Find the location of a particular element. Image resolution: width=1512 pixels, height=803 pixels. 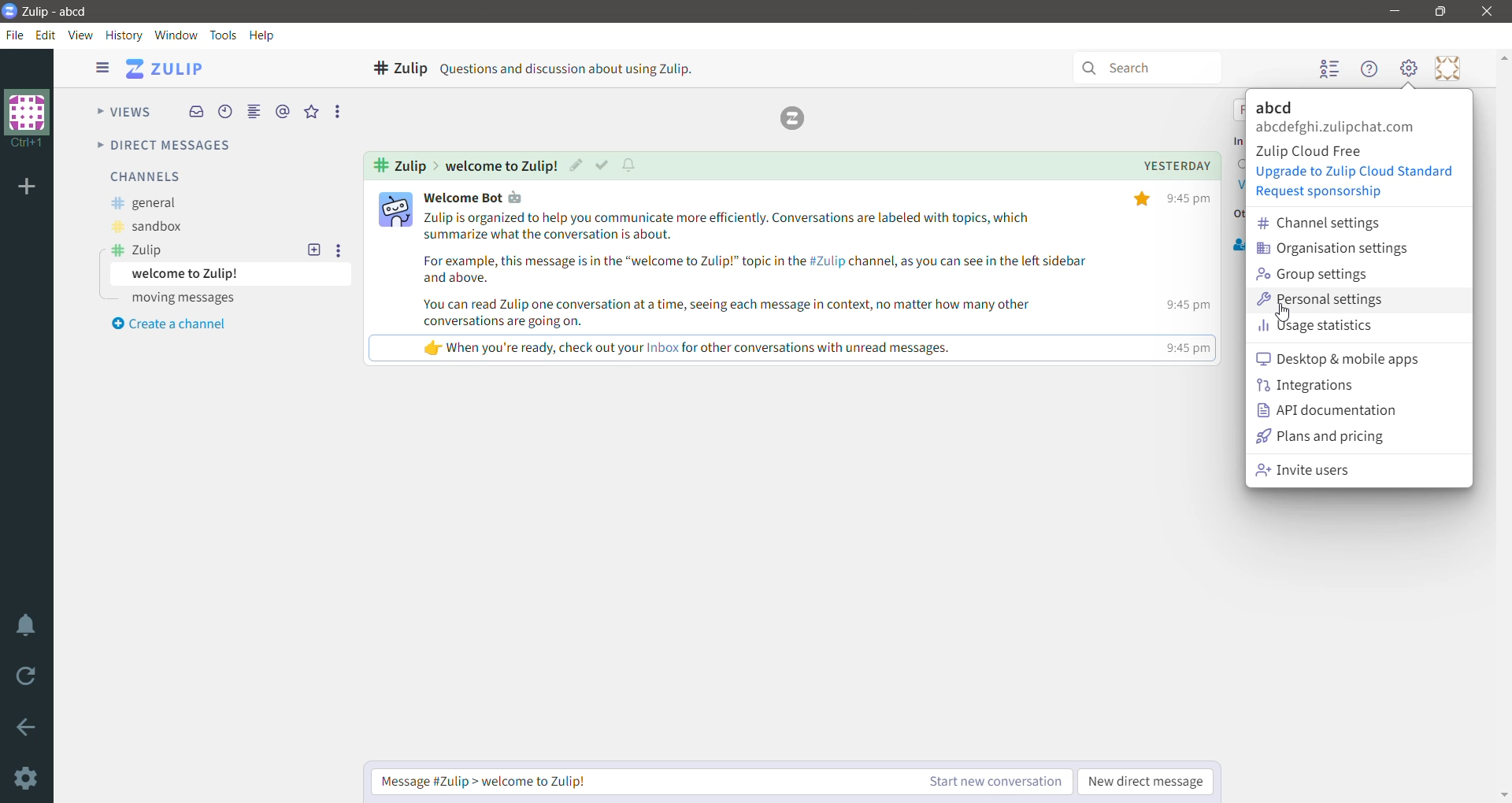

Configure topic notifications is located at coordinates (634, 166).